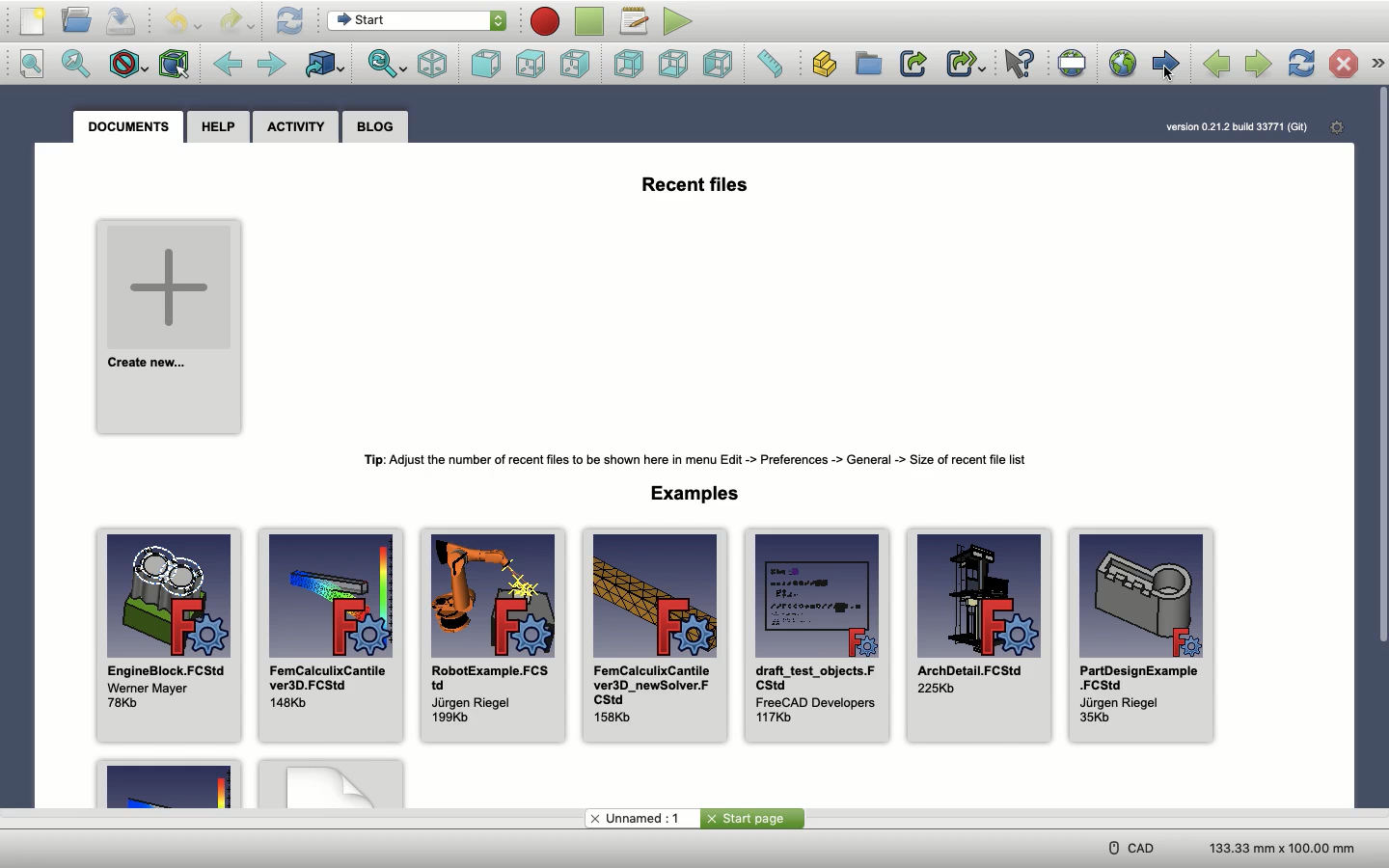 The height and width of the screenshot is (868, 1389). Describe the element at coordinates (221, 125) in the screenshot. I see `Help` at that location.